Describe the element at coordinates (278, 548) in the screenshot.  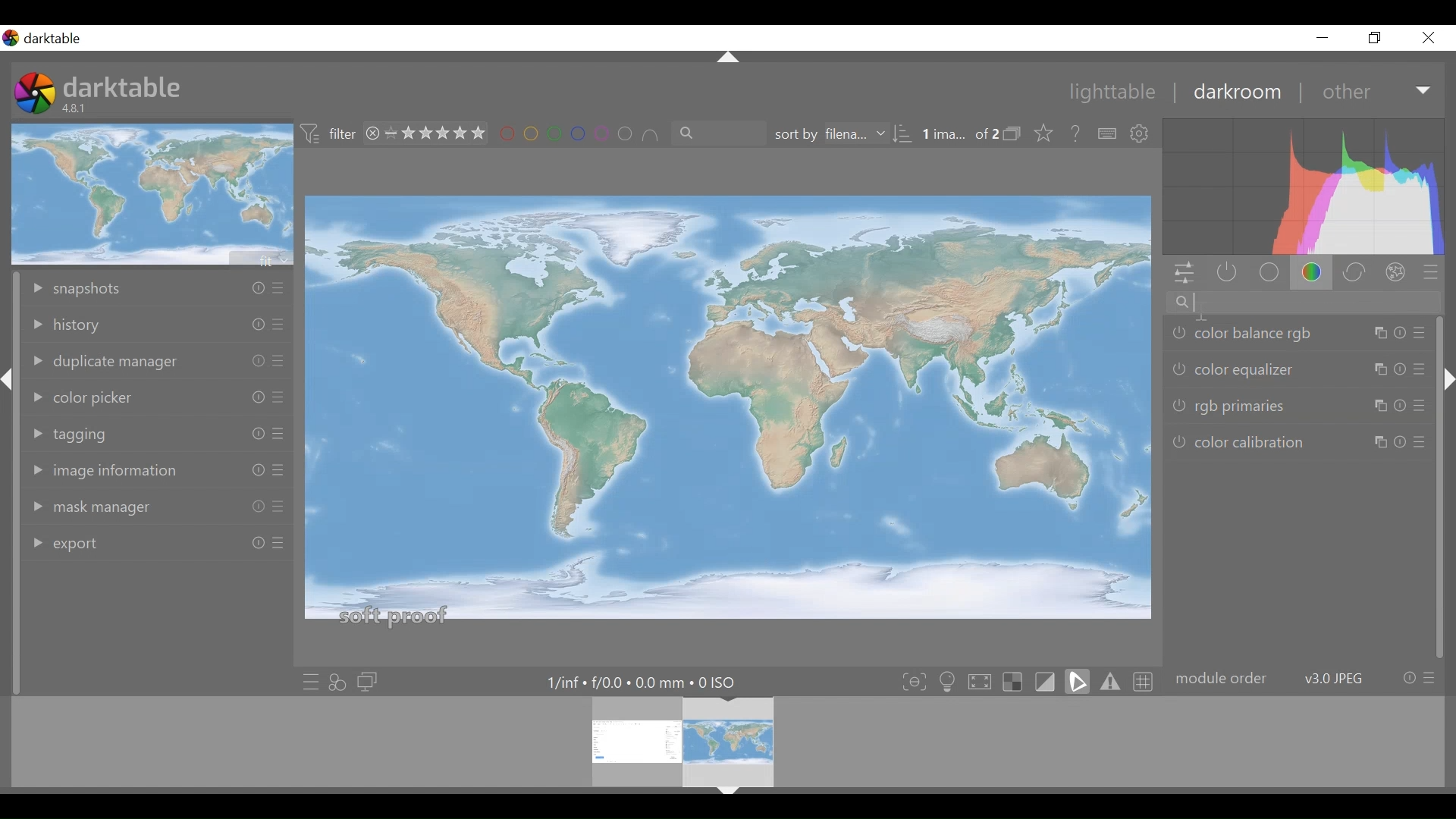
I see `` at that location.